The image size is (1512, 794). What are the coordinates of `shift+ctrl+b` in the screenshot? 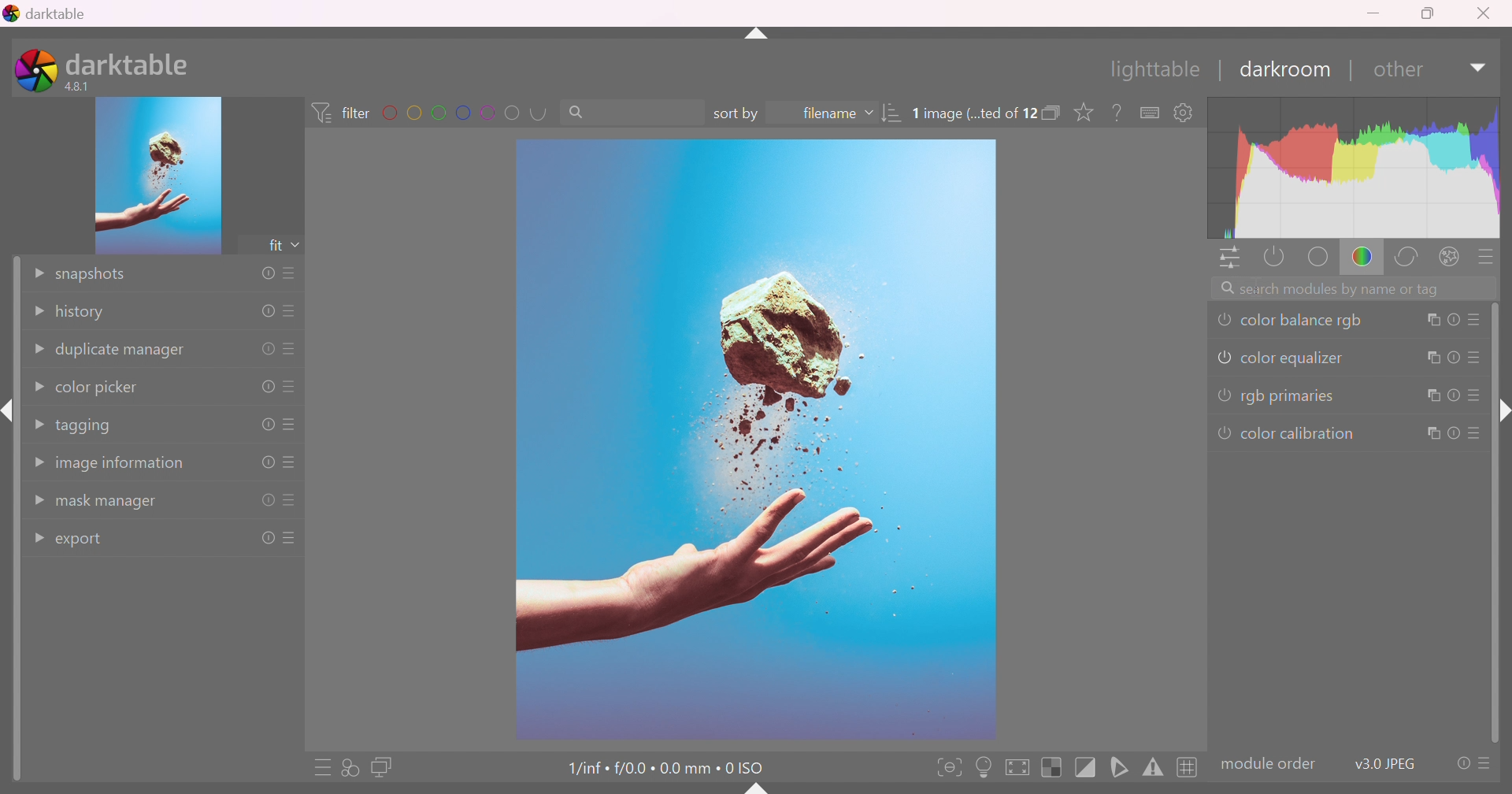 It's located at (755, 788).